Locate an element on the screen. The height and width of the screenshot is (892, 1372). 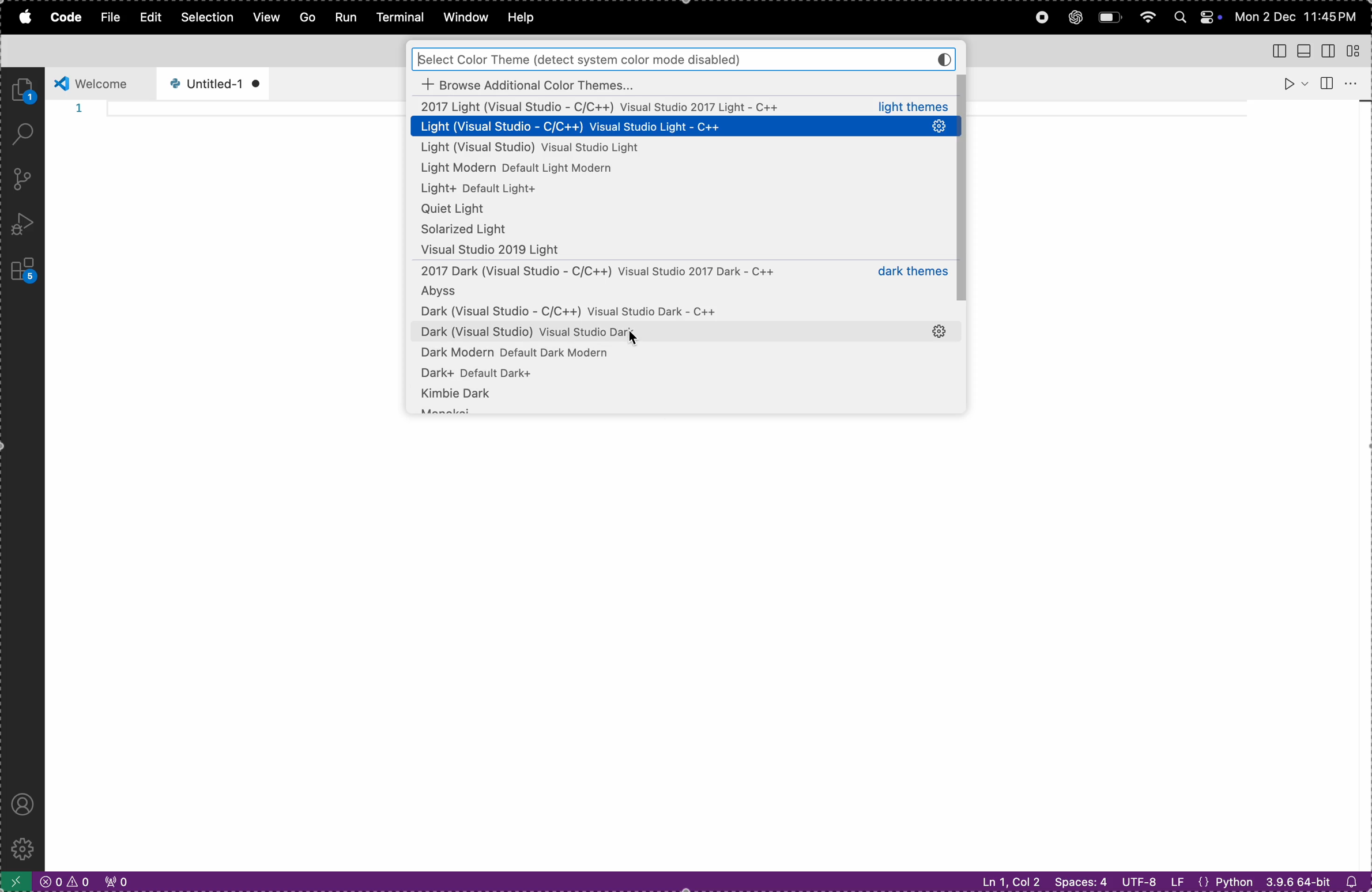
battery is located at coordinates (1111, 18).